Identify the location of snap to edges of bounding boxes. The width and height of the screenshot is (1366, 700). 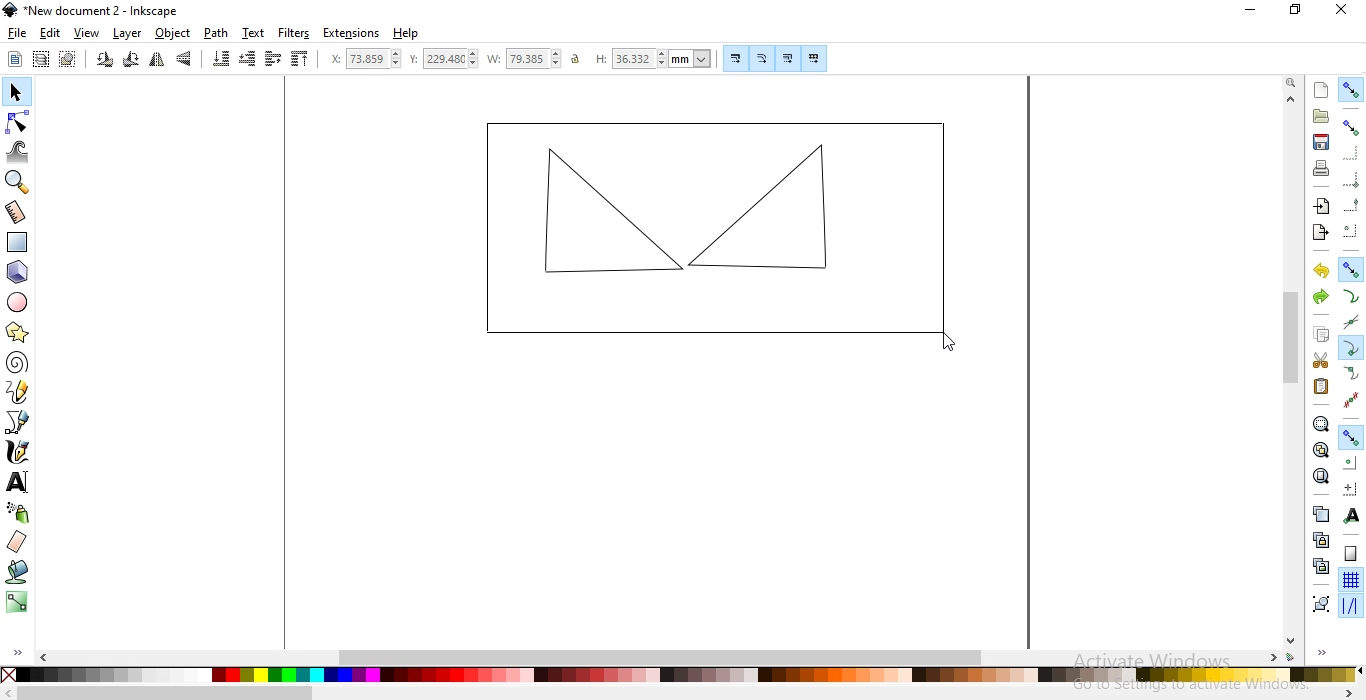
(1353, 153).